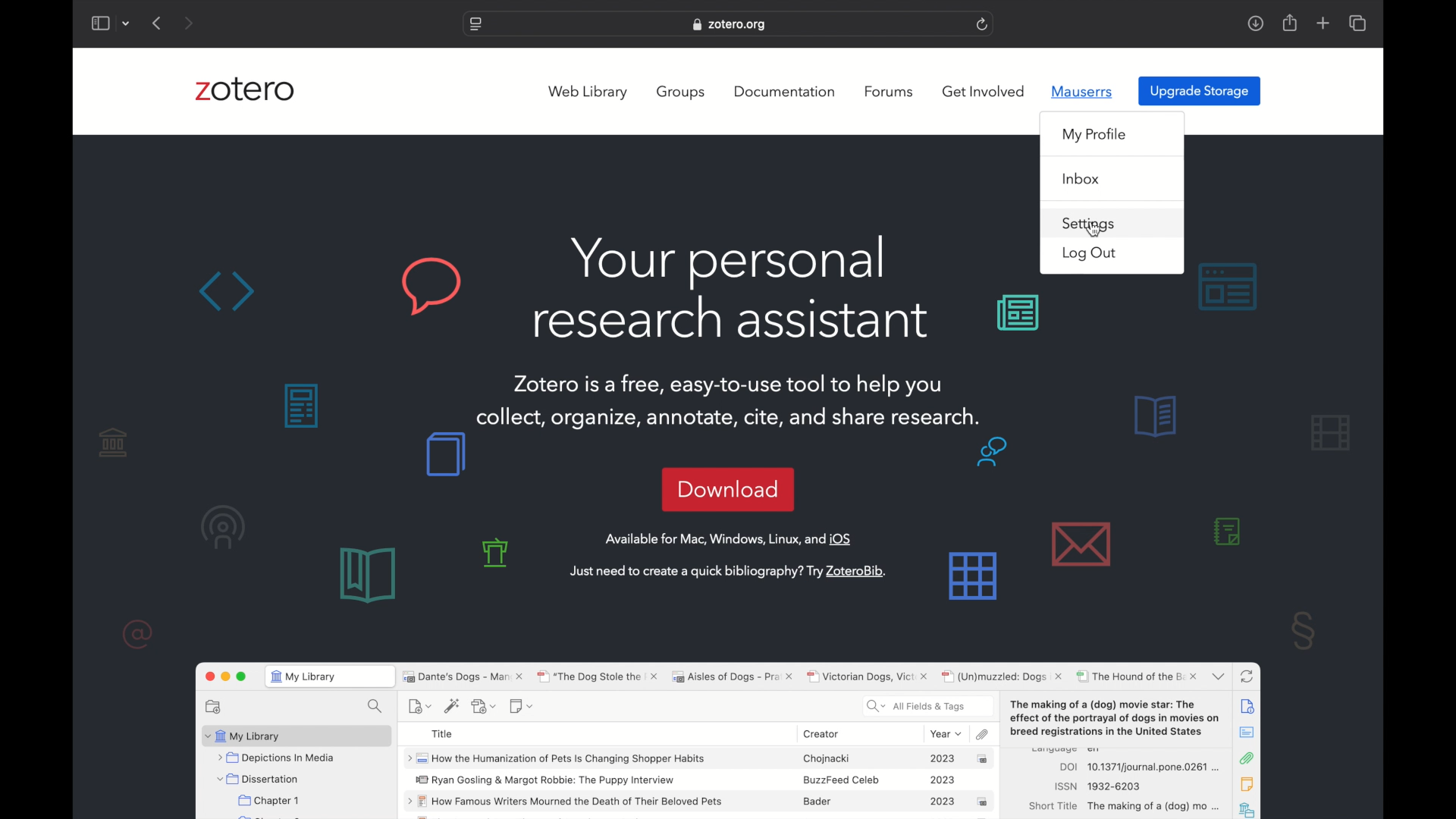  I want to click on background graphics, so click(496, 553).